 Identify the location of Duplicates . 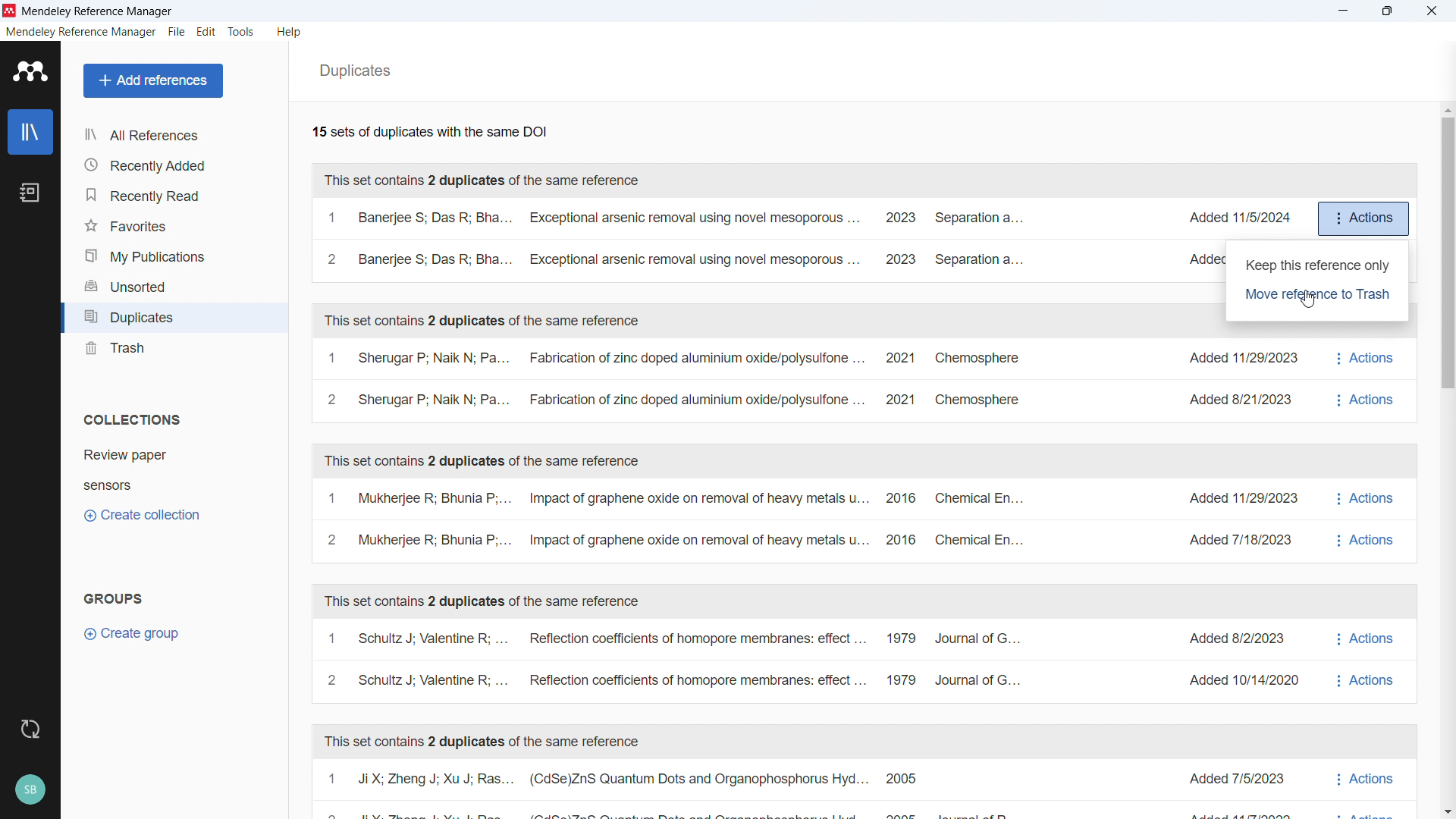
(173, 318).